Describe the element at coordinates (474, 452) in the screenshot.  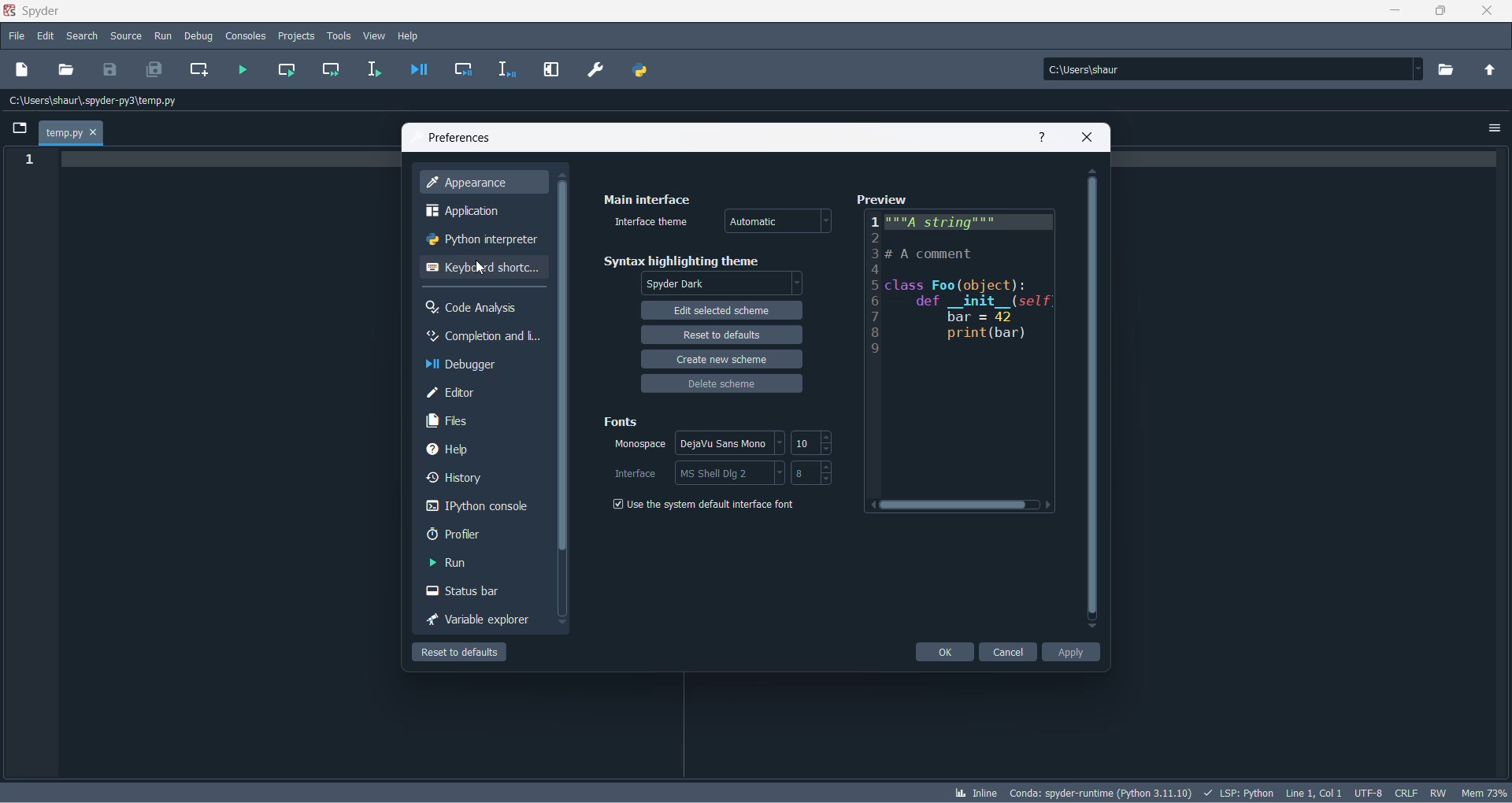
I see `help` at that location.